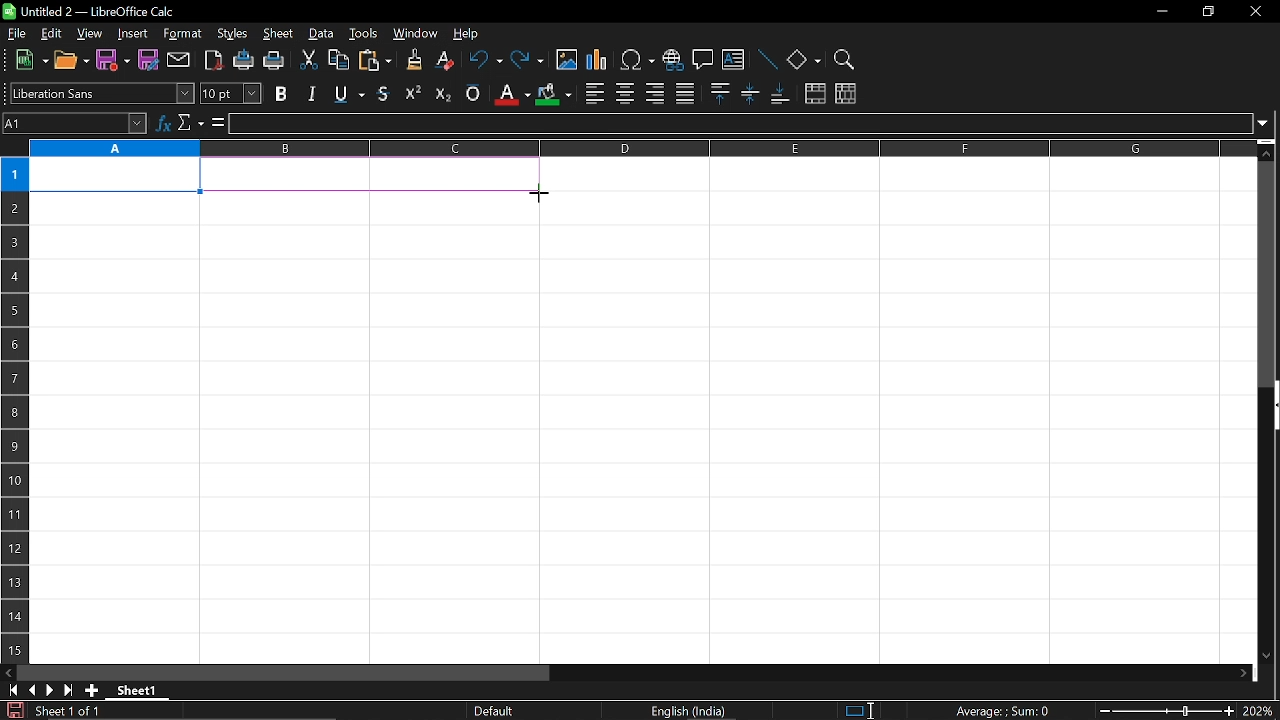 The image size is (1280, 720). What do you see at coordinates (17, 33) in the screenshot?
I see `file` at bounding box center [17, 33].